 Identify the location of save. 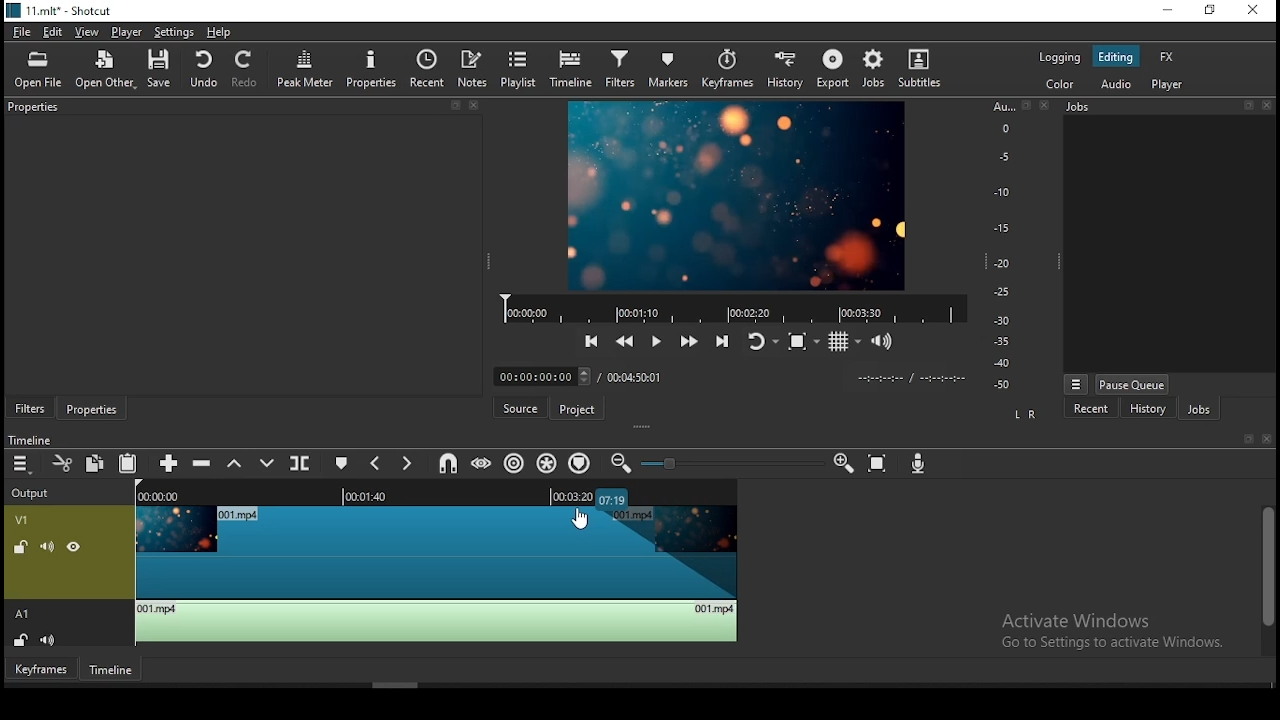
(159, 66).